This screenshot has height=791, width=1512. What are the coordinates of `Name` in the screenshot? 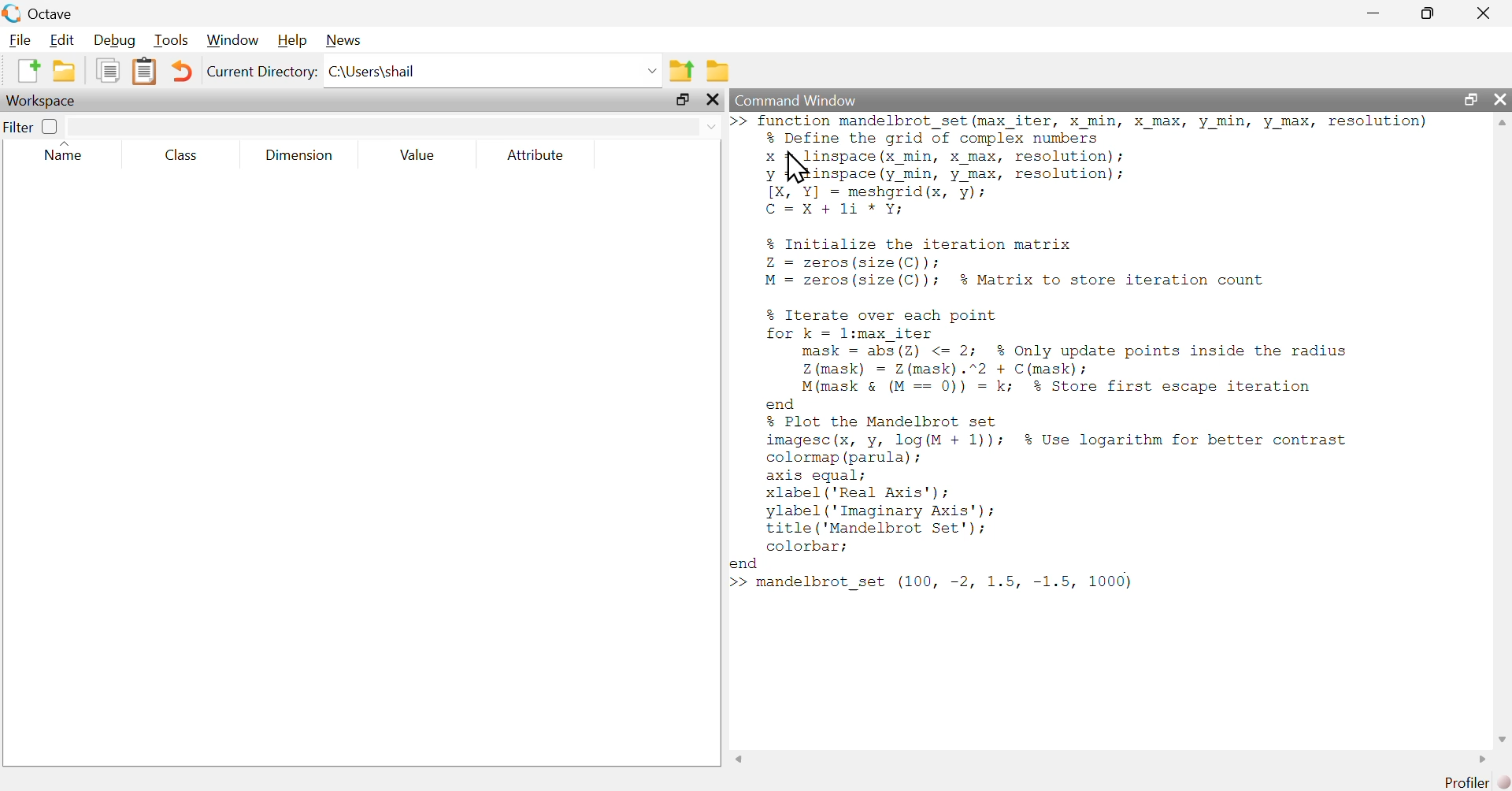 It's located at (71, 153).